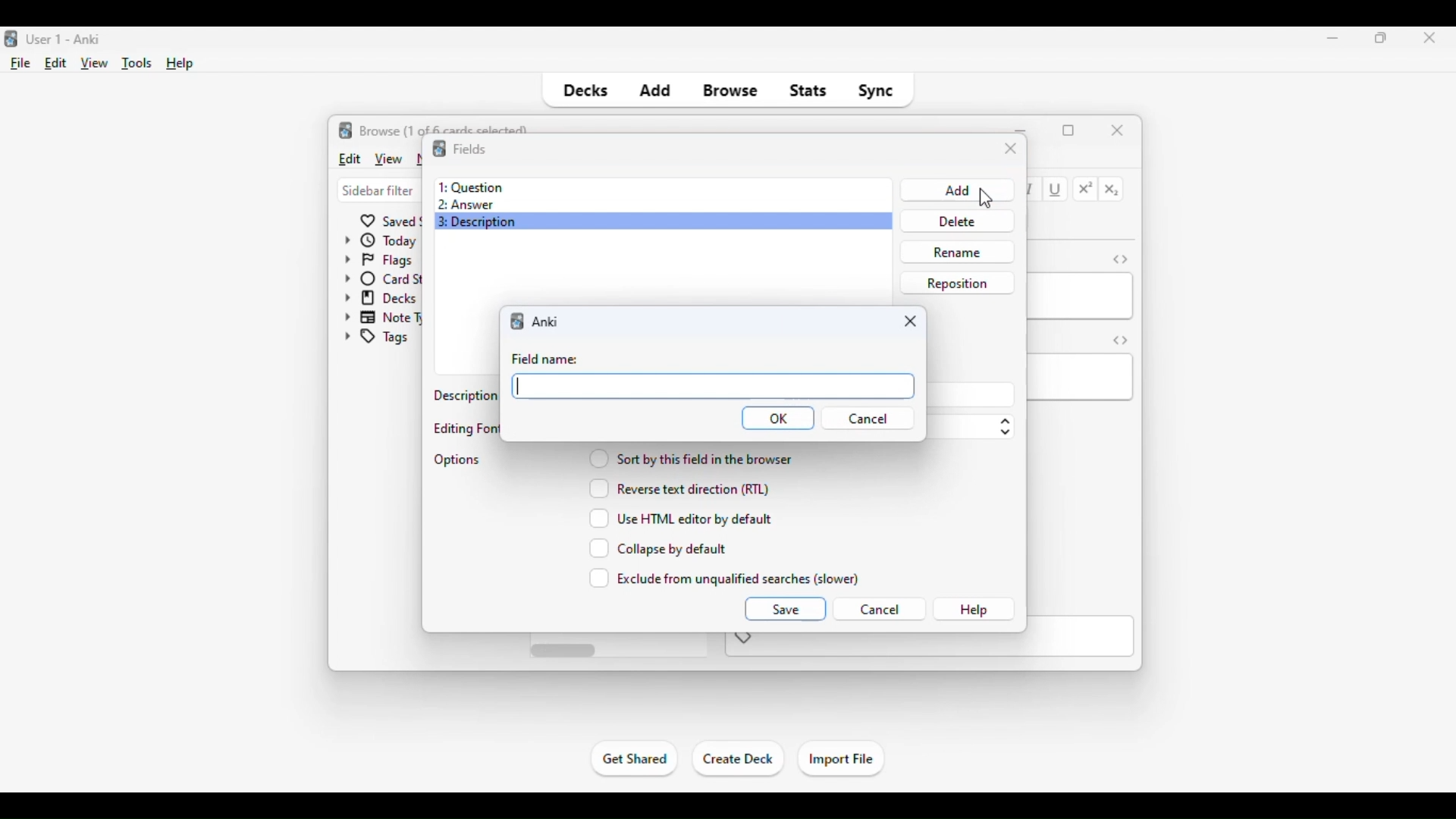  I want to click on delete, so click(954, 221).